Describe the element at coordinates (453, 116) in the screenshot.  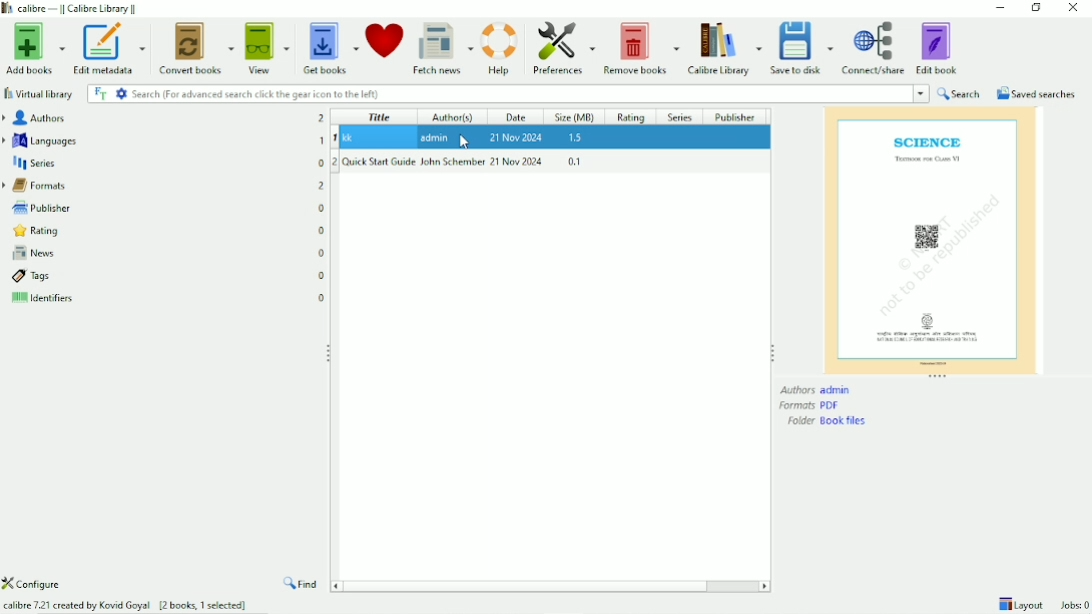
I see `Author(s)` at that location.